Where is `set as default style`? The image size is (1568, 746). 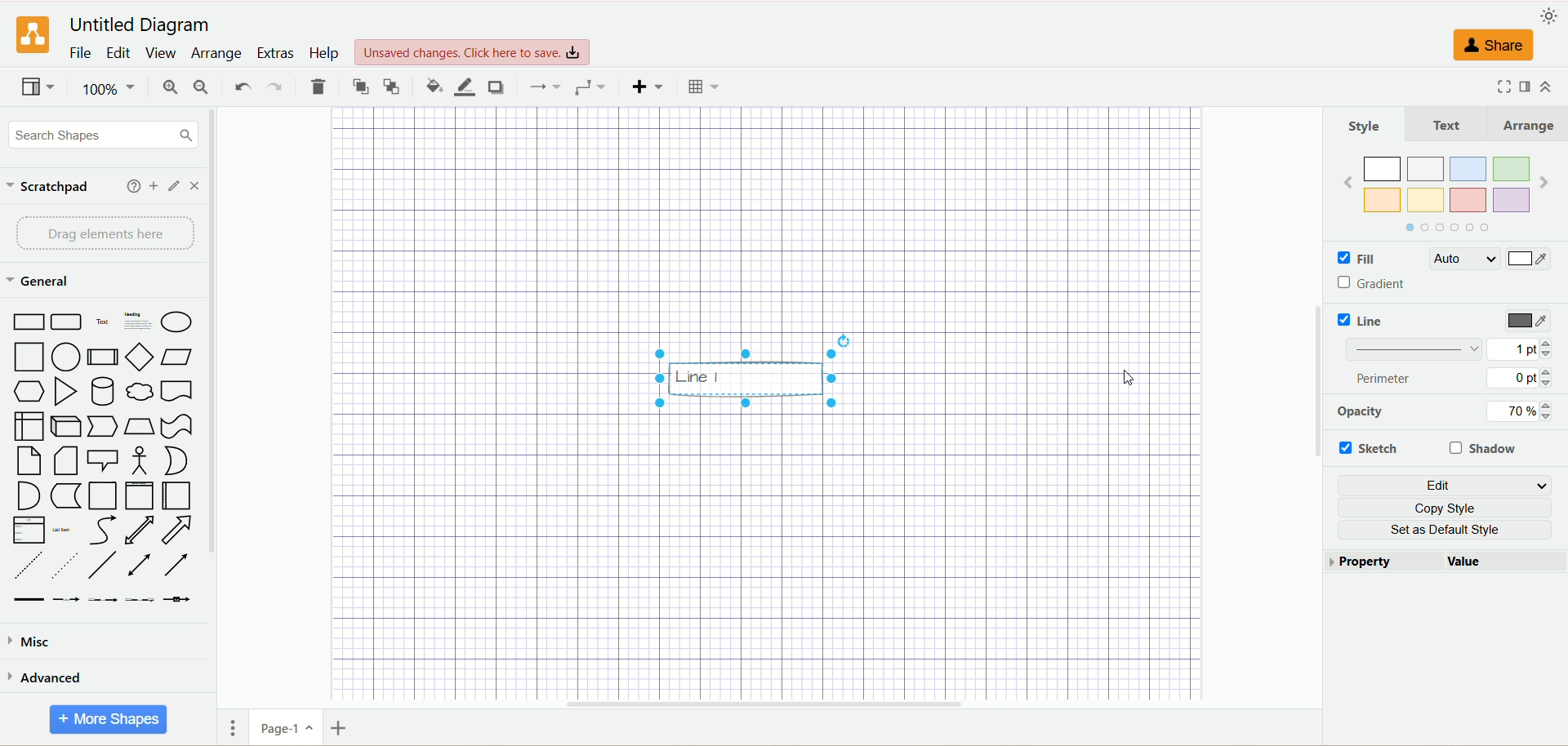 set as default style is located at coordinates (1445, 530).